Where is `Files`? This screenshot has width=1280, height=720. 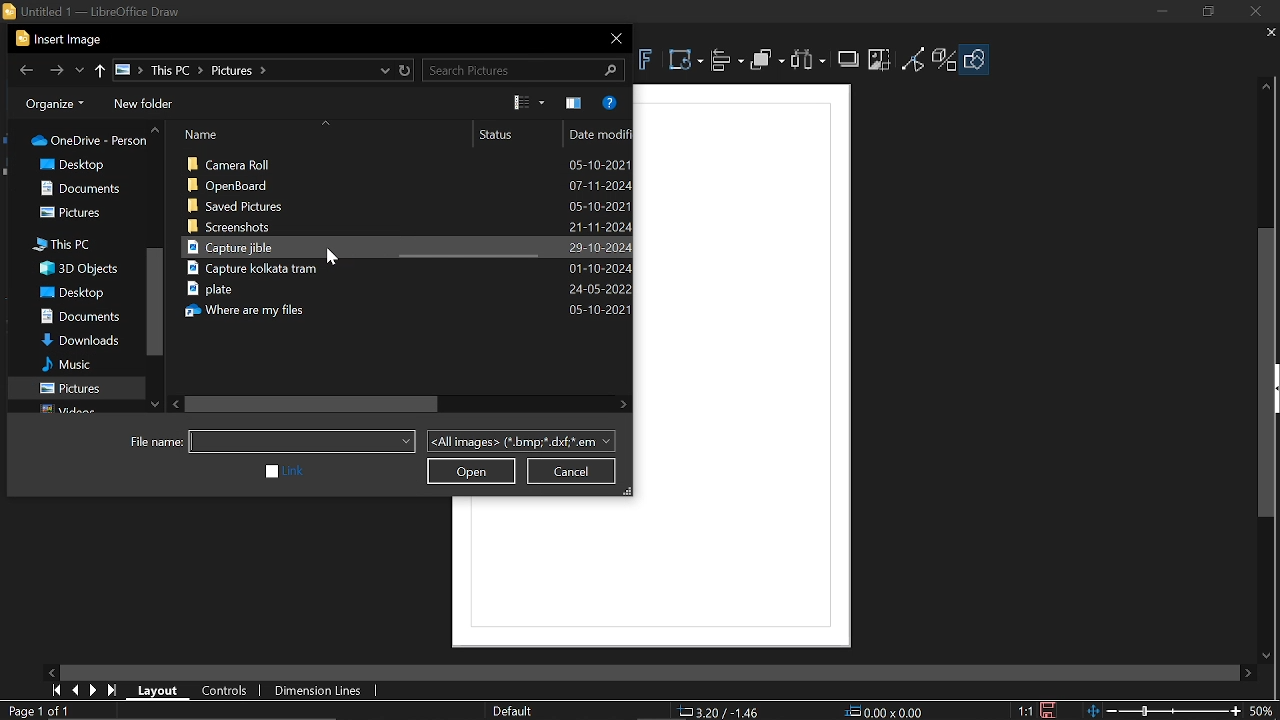 Files is located at coordinates (406, 247).